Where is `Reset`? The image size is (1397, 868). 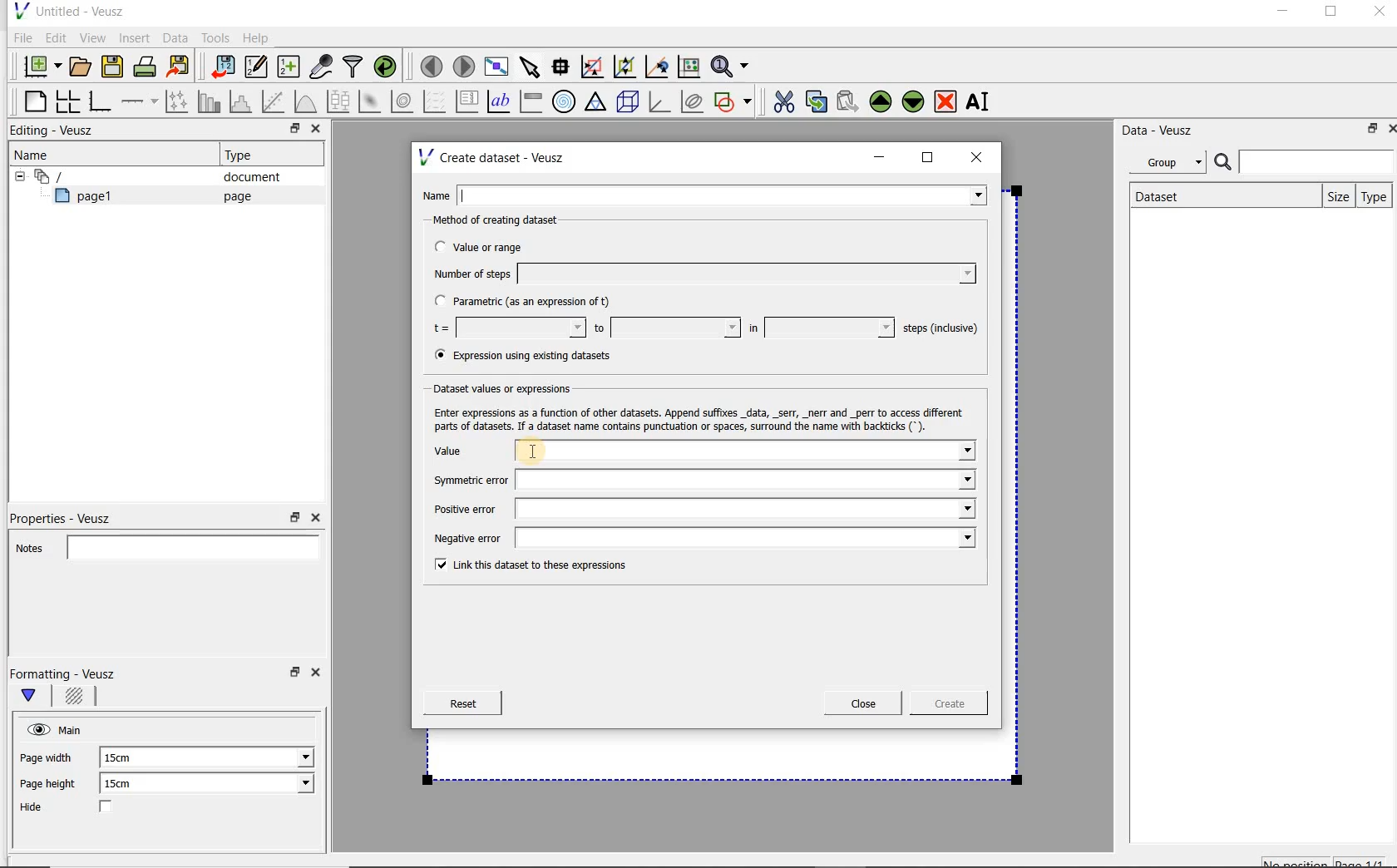 Reset is located at coordinates (462, 703).